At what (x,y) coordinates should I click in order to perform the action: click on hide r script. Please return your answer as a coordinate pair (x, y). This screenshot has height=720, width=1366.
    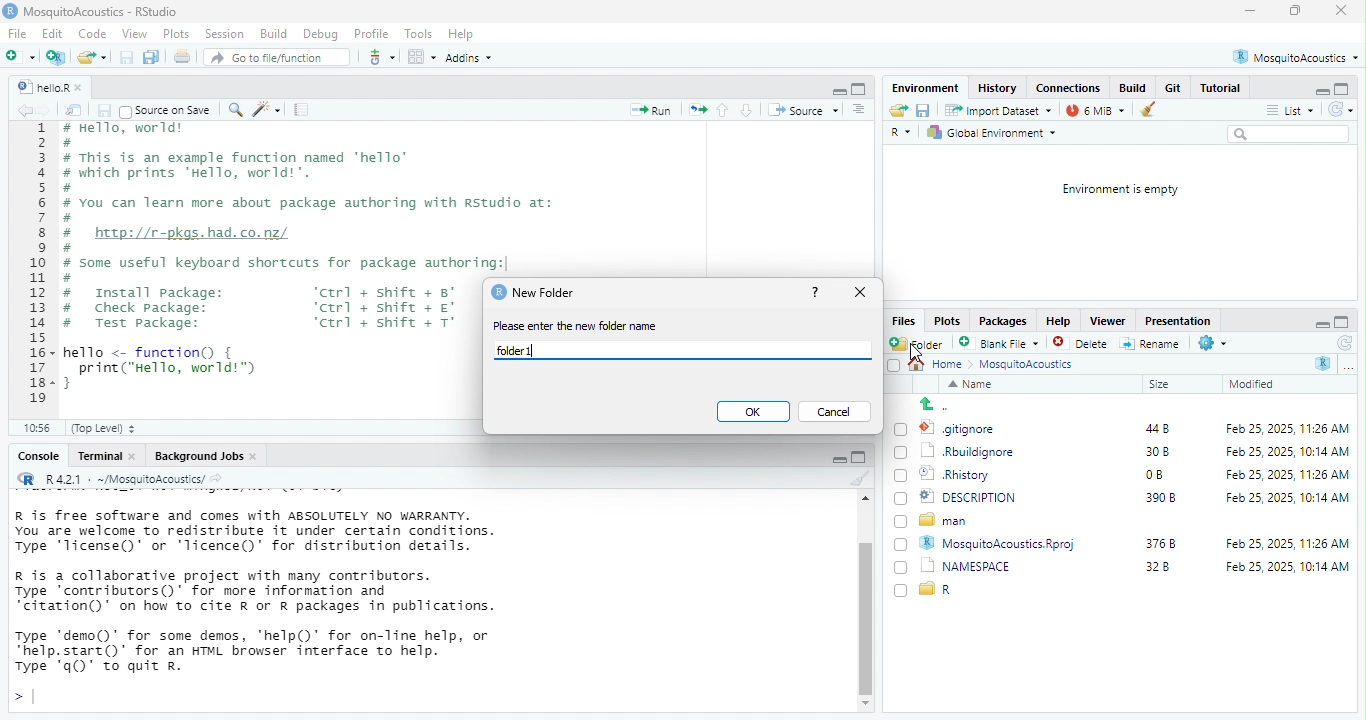
    Looking at the image, I should click on (831, 459).